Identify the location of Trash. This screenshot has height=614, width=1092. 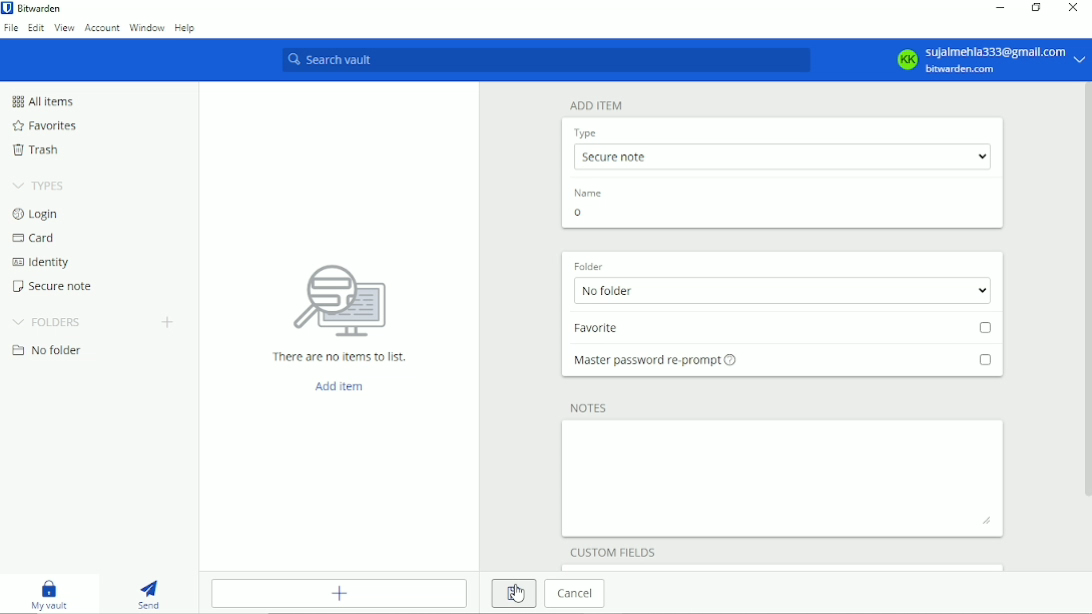
(35, 149).